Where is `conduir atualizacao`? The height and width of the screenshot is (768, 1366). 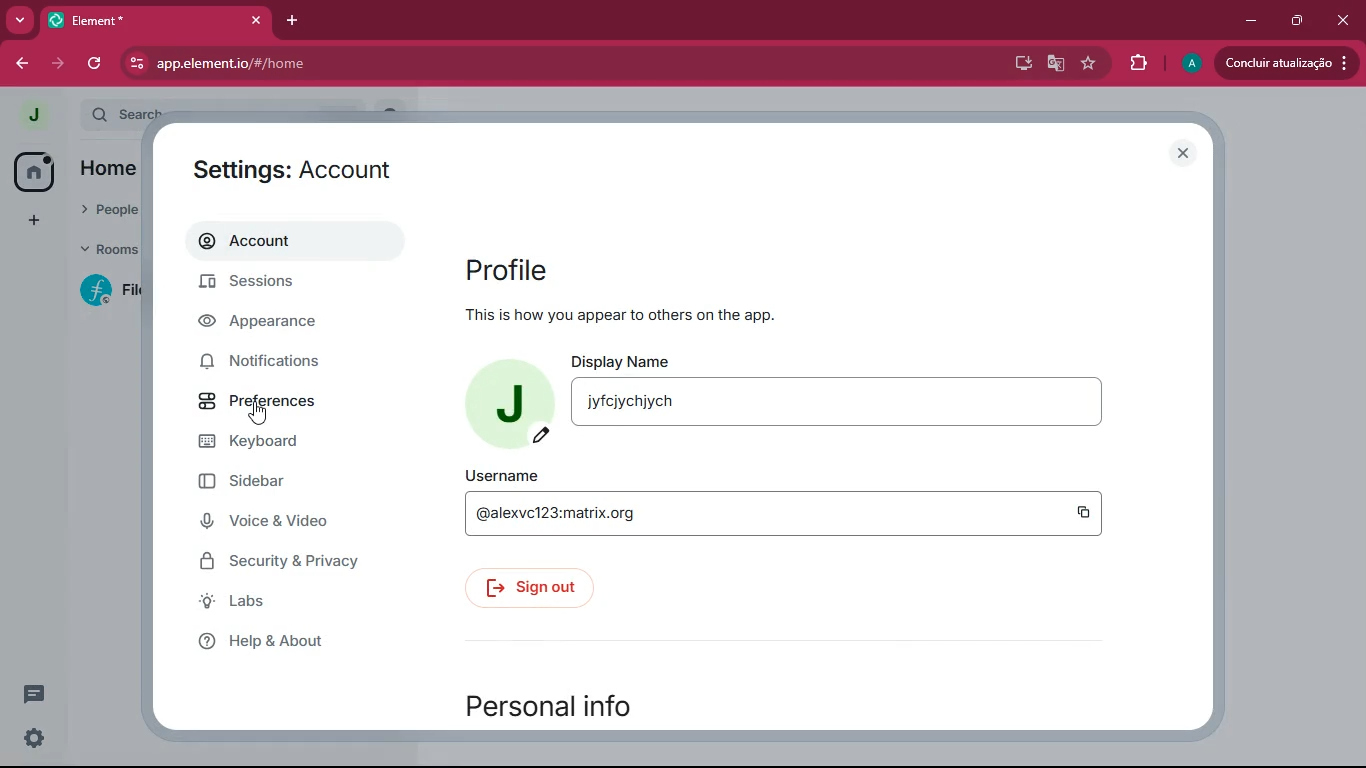
conduir atualizacao is located at coordinates (1285, 61).